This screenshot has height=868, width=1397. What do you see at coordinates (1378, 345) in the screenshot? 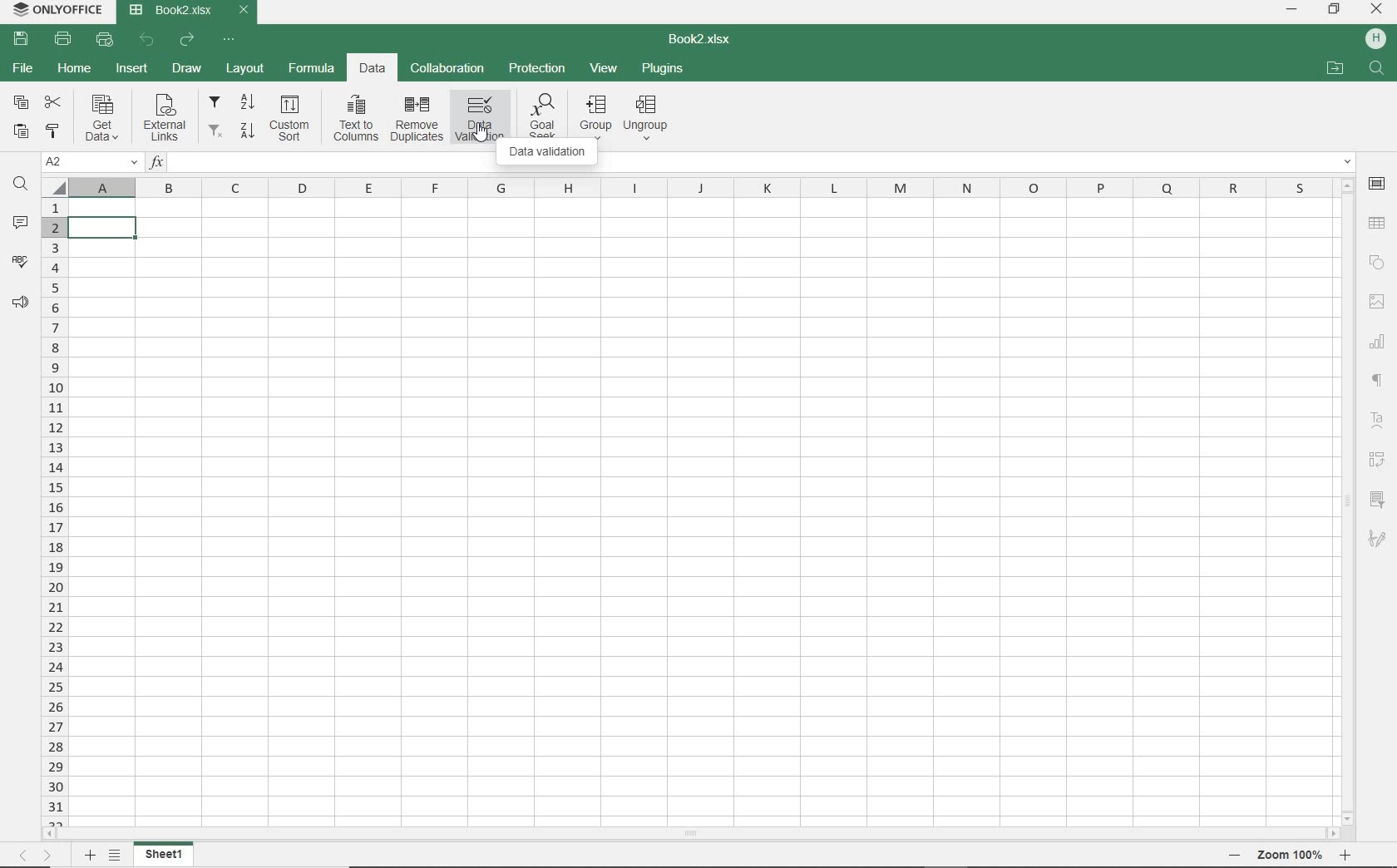
I see `CHART` at bounding box center [1378, 345].